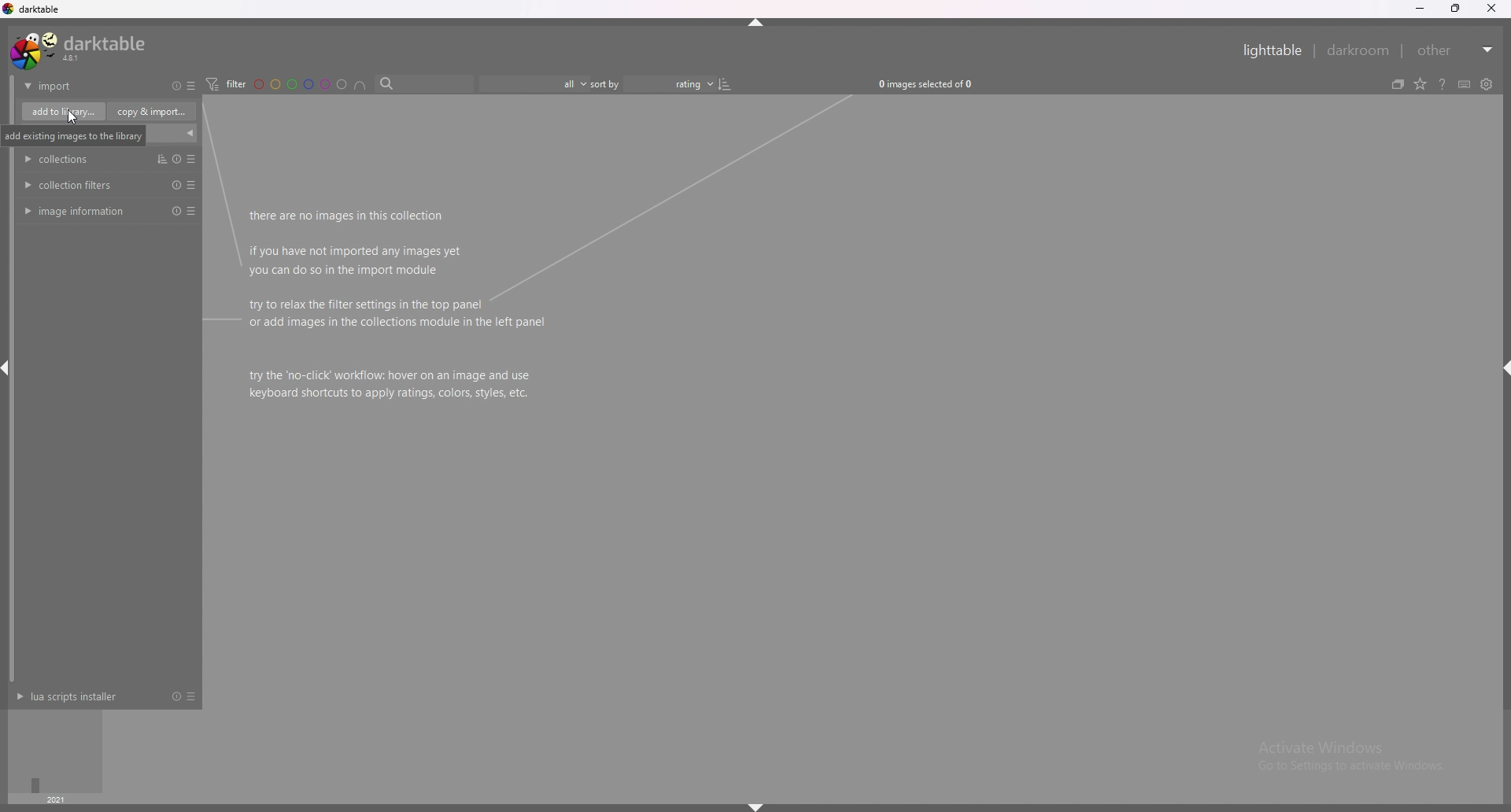 The height and width of the screenshot is (812, 1511). Describe the element at coordinates (652, 83) in the screenshot. I see `sort by` at that location.